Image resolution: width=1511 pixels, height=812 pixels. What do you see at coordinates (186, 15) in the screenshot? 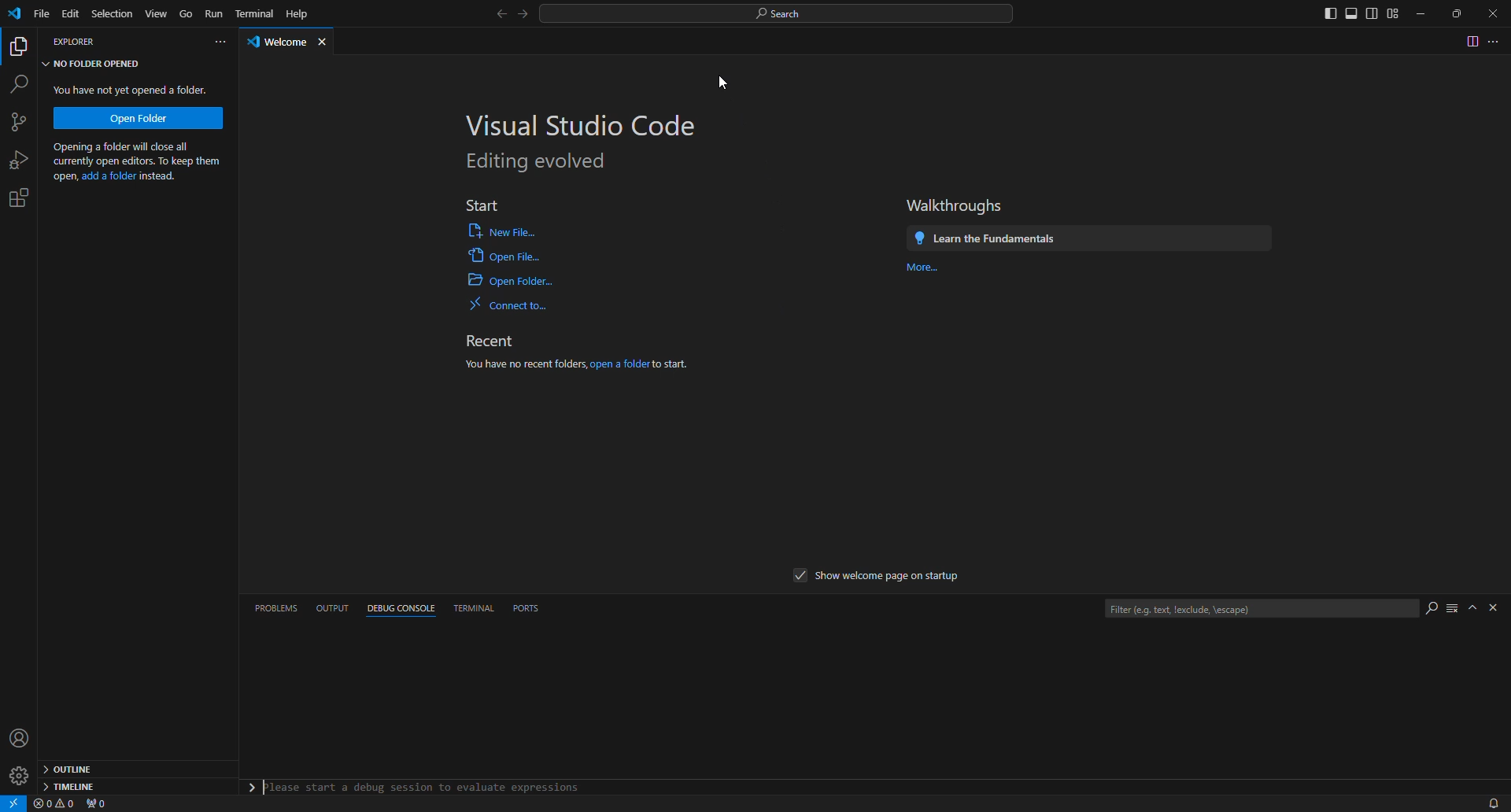
I see `Go` at bounding box center [186, 15].